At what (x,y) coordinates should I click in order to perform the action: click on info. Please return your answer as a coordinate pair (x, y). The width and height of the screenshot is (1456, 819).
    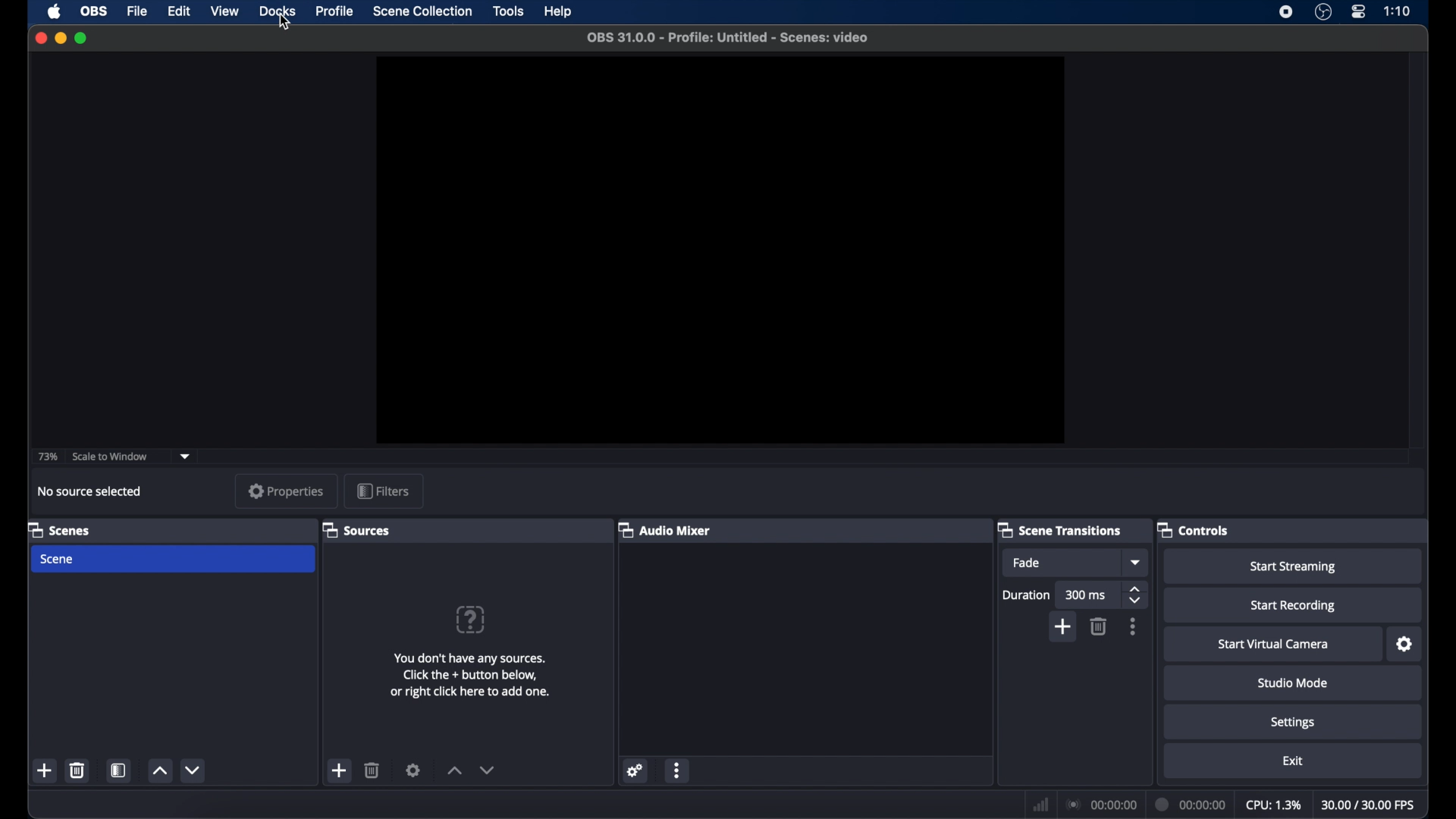
    Looking at the image, I should click on (470, 676).